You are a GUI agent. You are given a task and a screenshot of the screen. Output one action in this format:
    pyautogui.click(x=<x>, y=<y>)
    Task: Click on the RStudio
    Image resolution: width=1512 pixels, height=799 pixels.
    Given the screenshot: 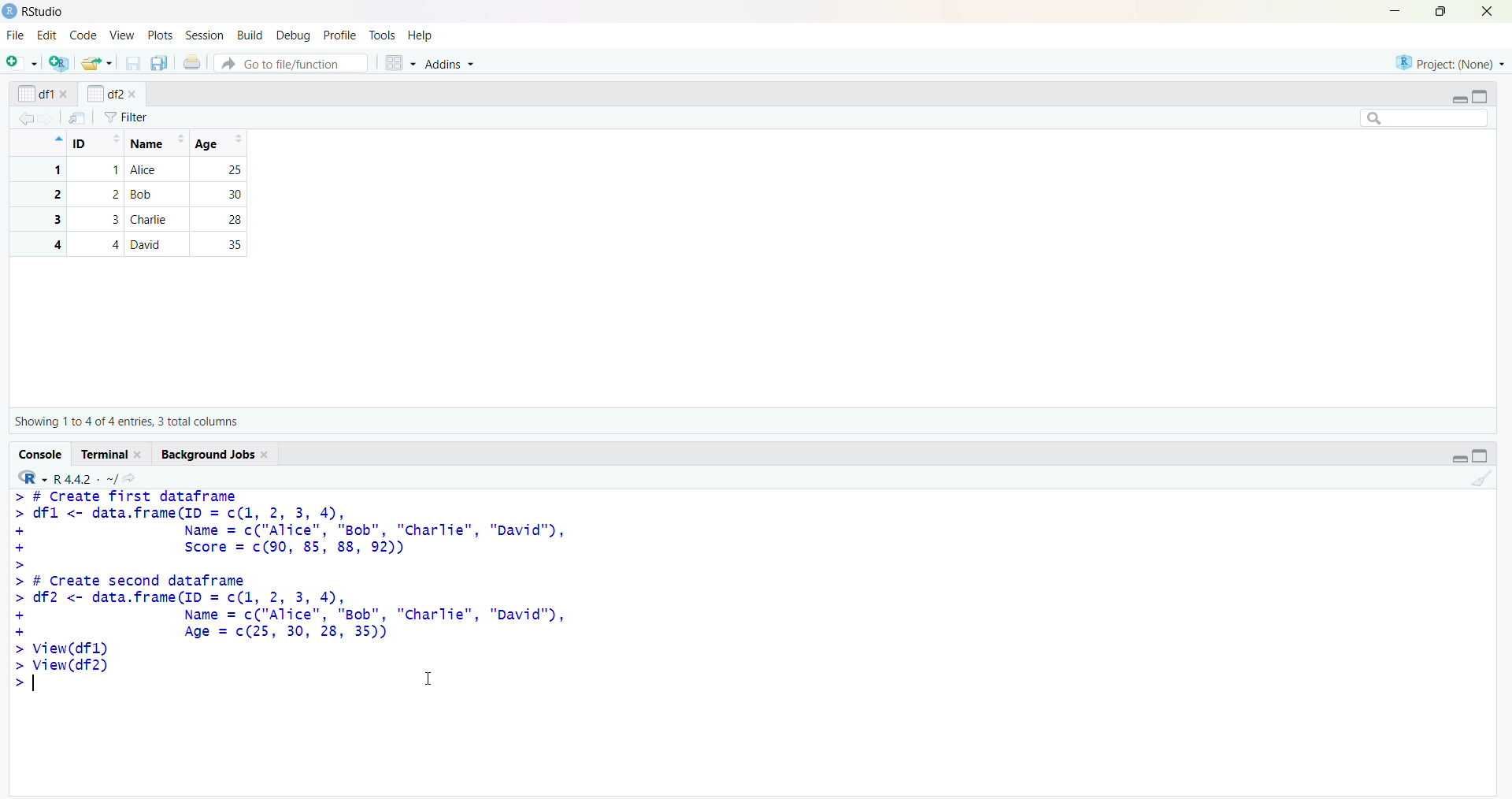 What is the action you would take?
    pyautogui.click(x=45, y=12)
    